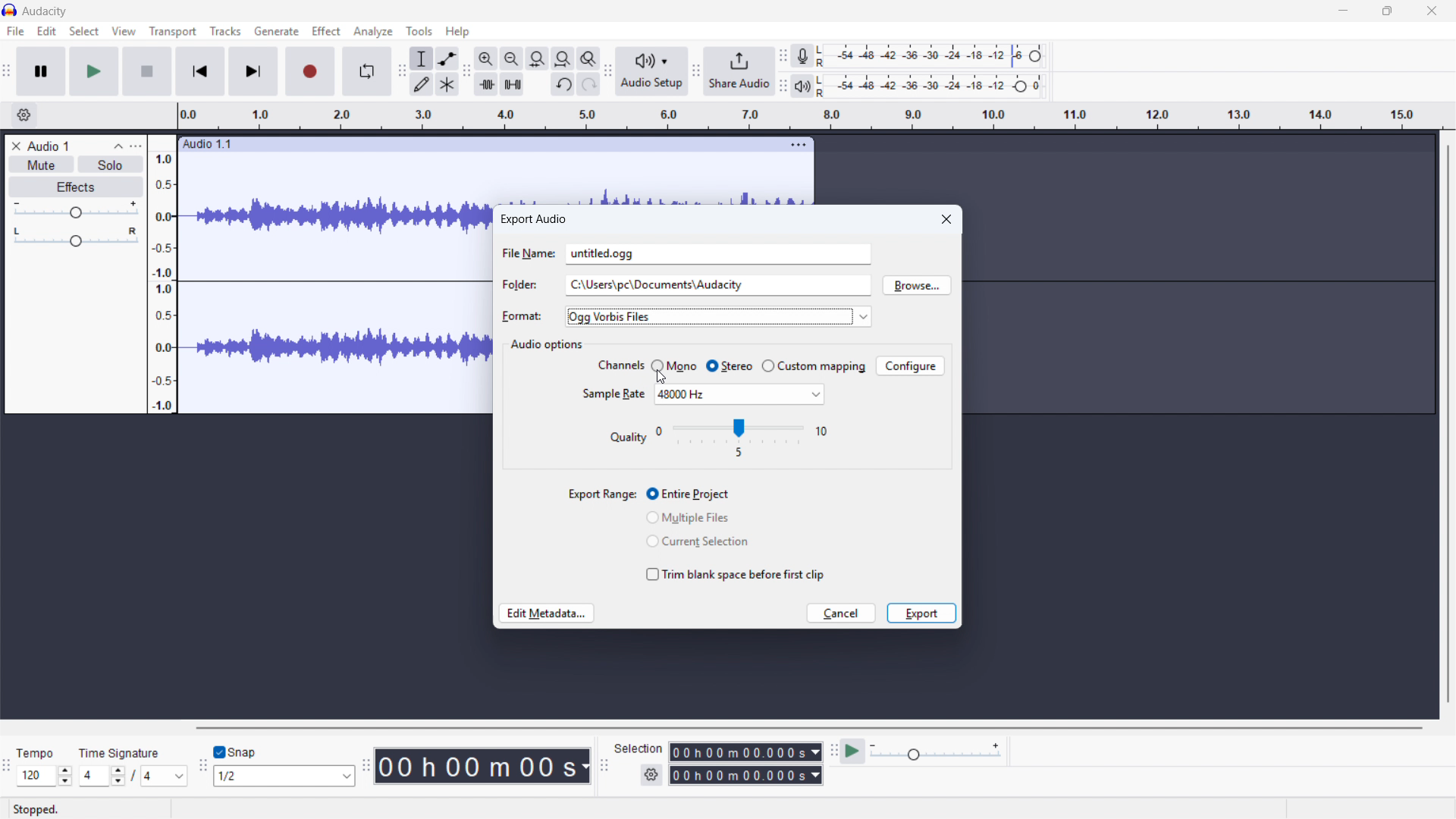 This screenshot has width=1456, height=819. What do you see at coordinates (588, 58) in the screenshot?
I see `Toggle zoom ` at bounding box center [588, 58].